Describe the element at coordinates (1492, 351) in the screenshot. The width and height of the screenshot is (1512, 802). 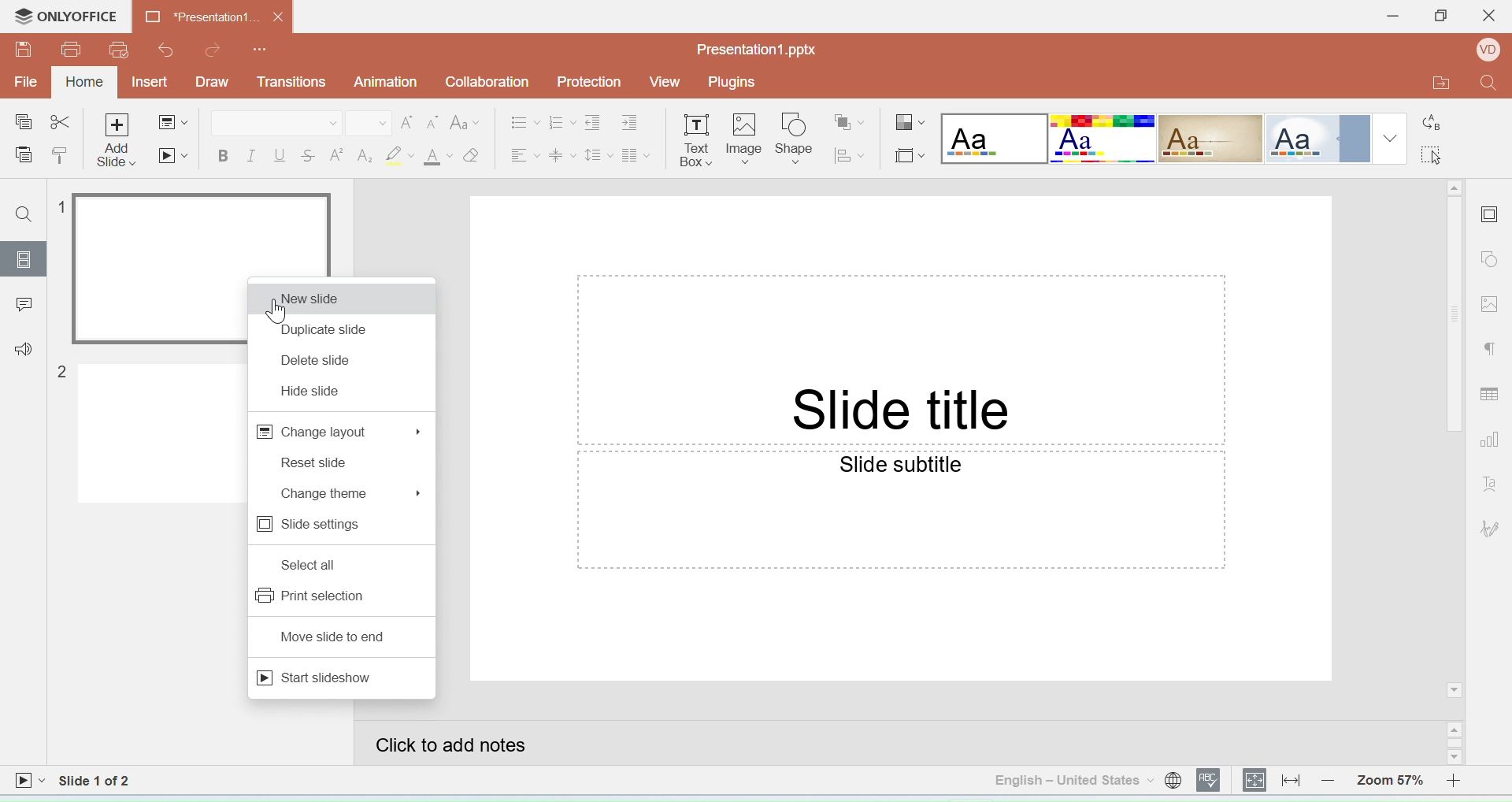
I see `Paragraph settings` at that location.